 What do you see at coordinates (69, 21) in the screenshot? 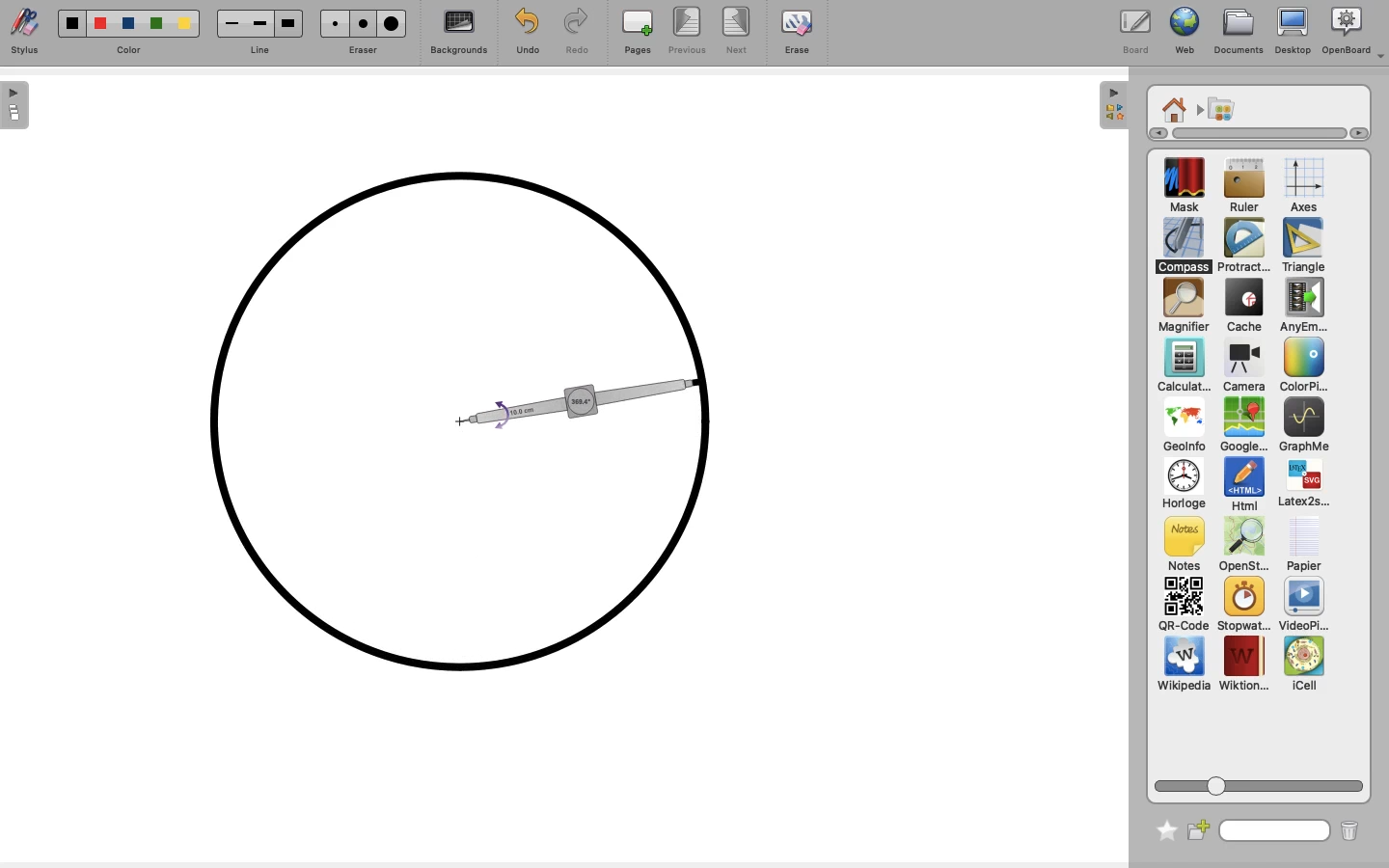
I see `color1` at bounding box center [69, 21].